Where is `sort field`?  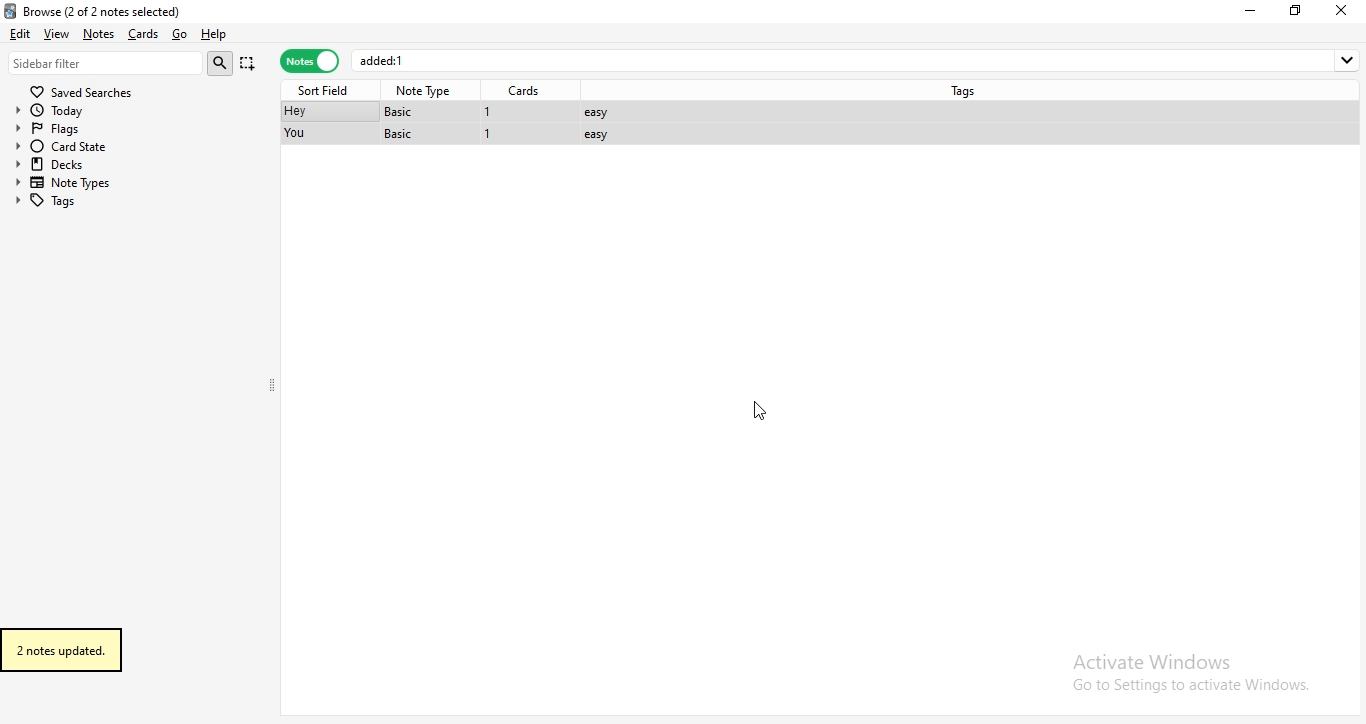
sort field is located at coordinates (327, 89).